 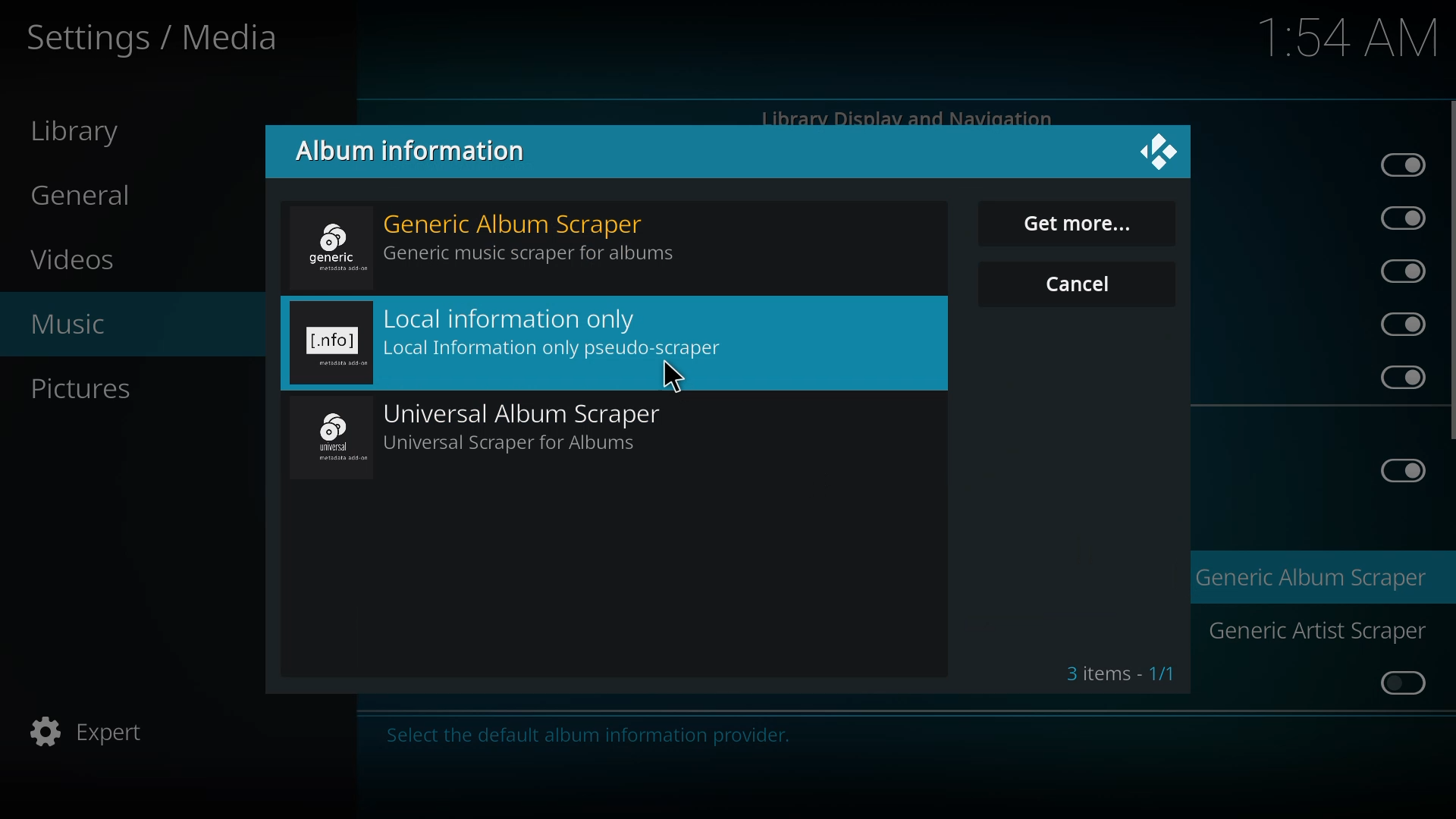 I want to click on videos, so click(x=79, y=260).